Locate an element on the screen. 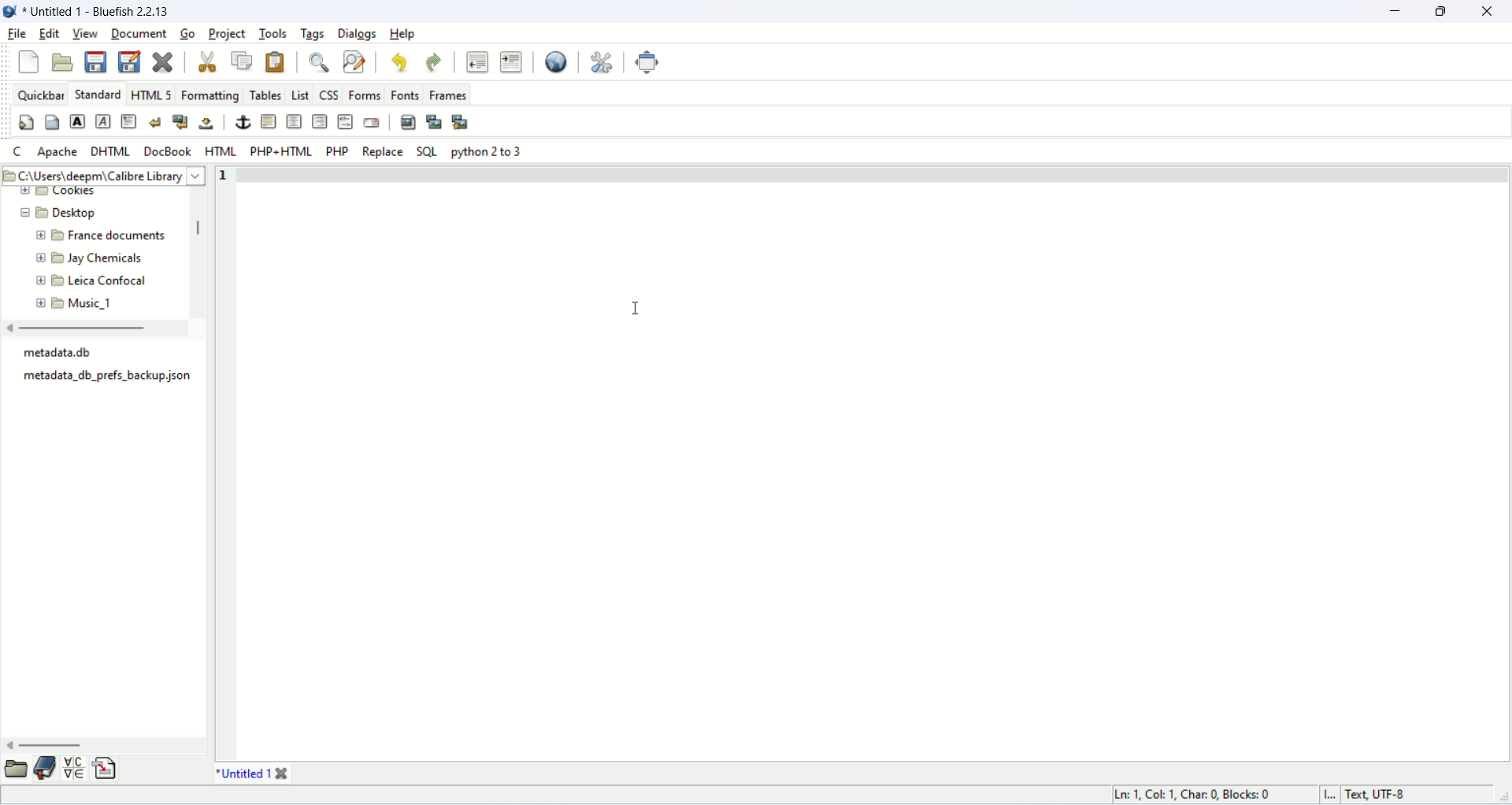 The image size is (1512, 805). Apache is located at coordinates (57, 152).